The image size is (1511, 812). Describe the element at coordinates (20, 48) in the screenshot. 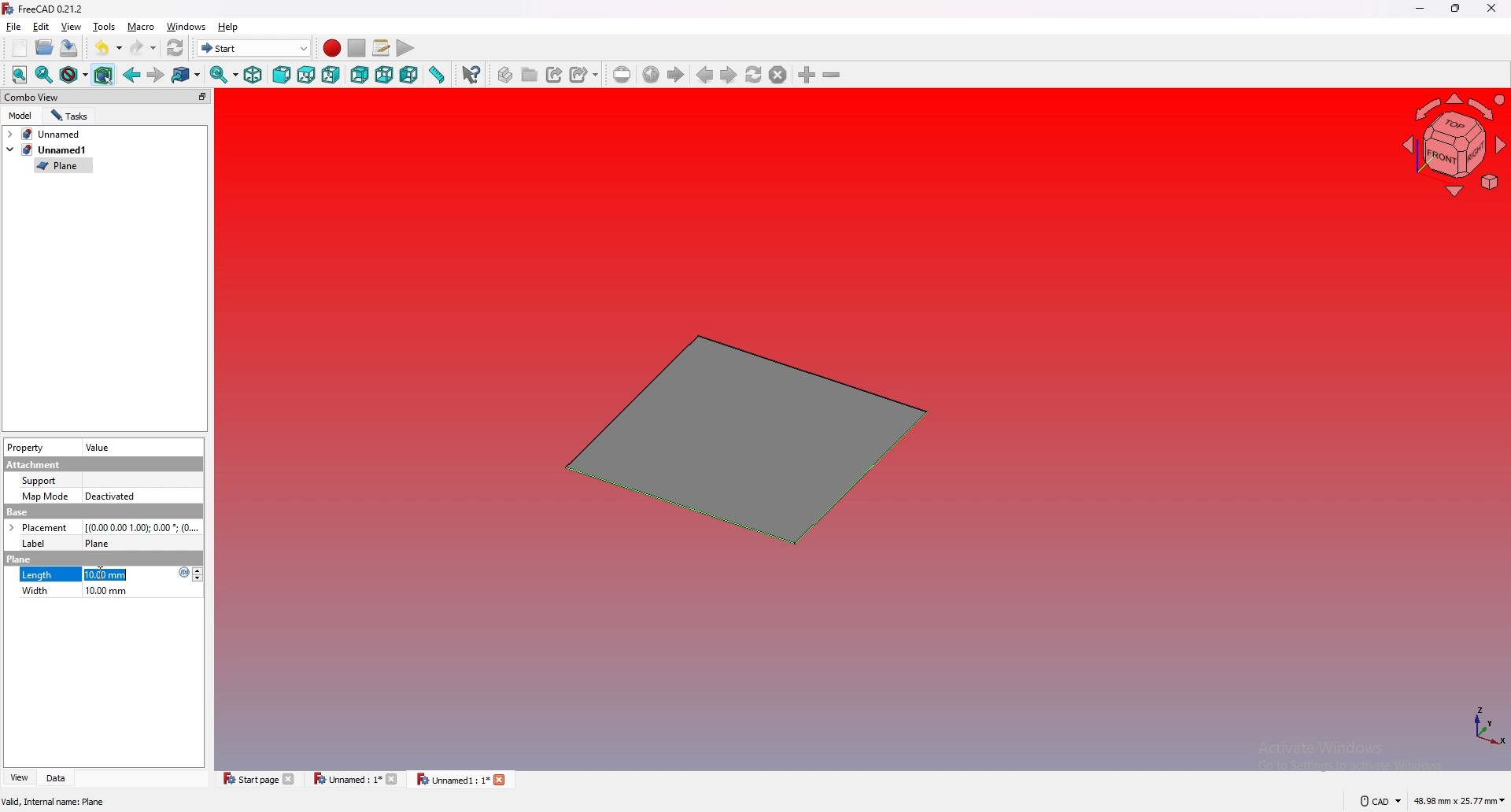

I see `new` at that location.